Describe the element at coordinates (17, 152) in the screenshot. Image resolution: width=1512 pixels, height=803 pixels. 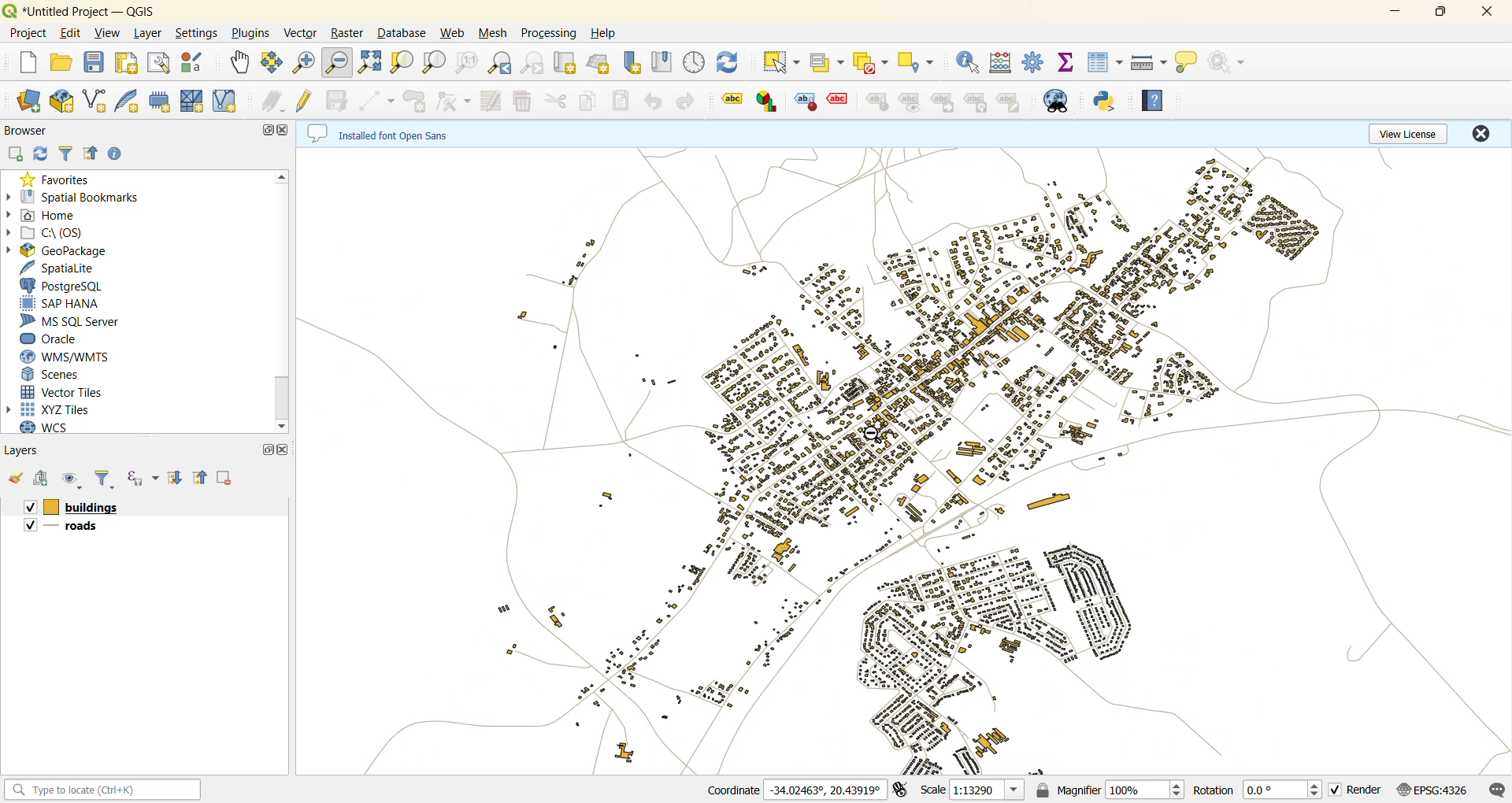
I see `add` at that location.